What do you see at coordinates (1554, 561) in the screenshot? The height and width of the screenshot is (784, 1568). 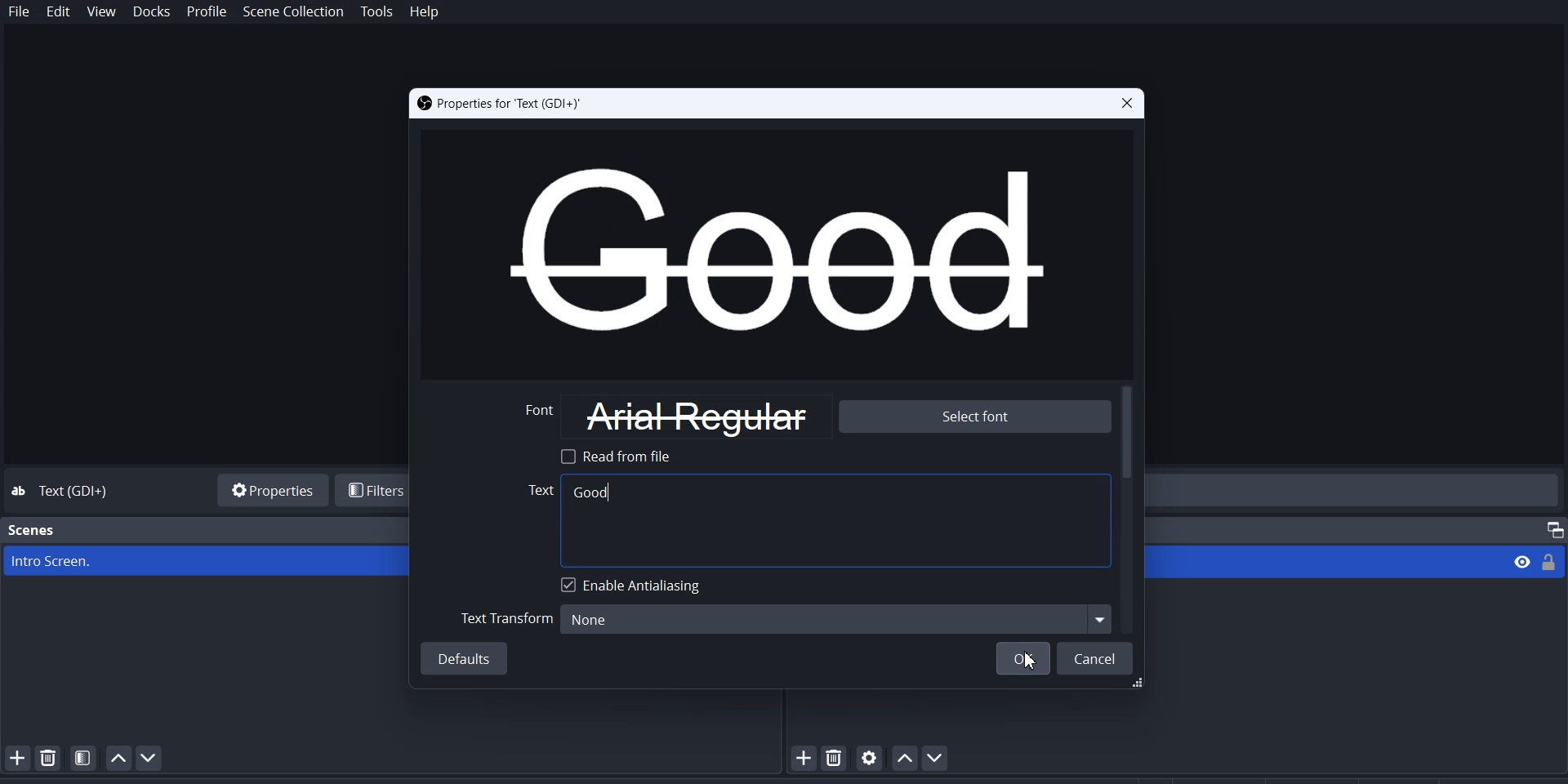 I see `Lock` at bounding box center [1554, 561].